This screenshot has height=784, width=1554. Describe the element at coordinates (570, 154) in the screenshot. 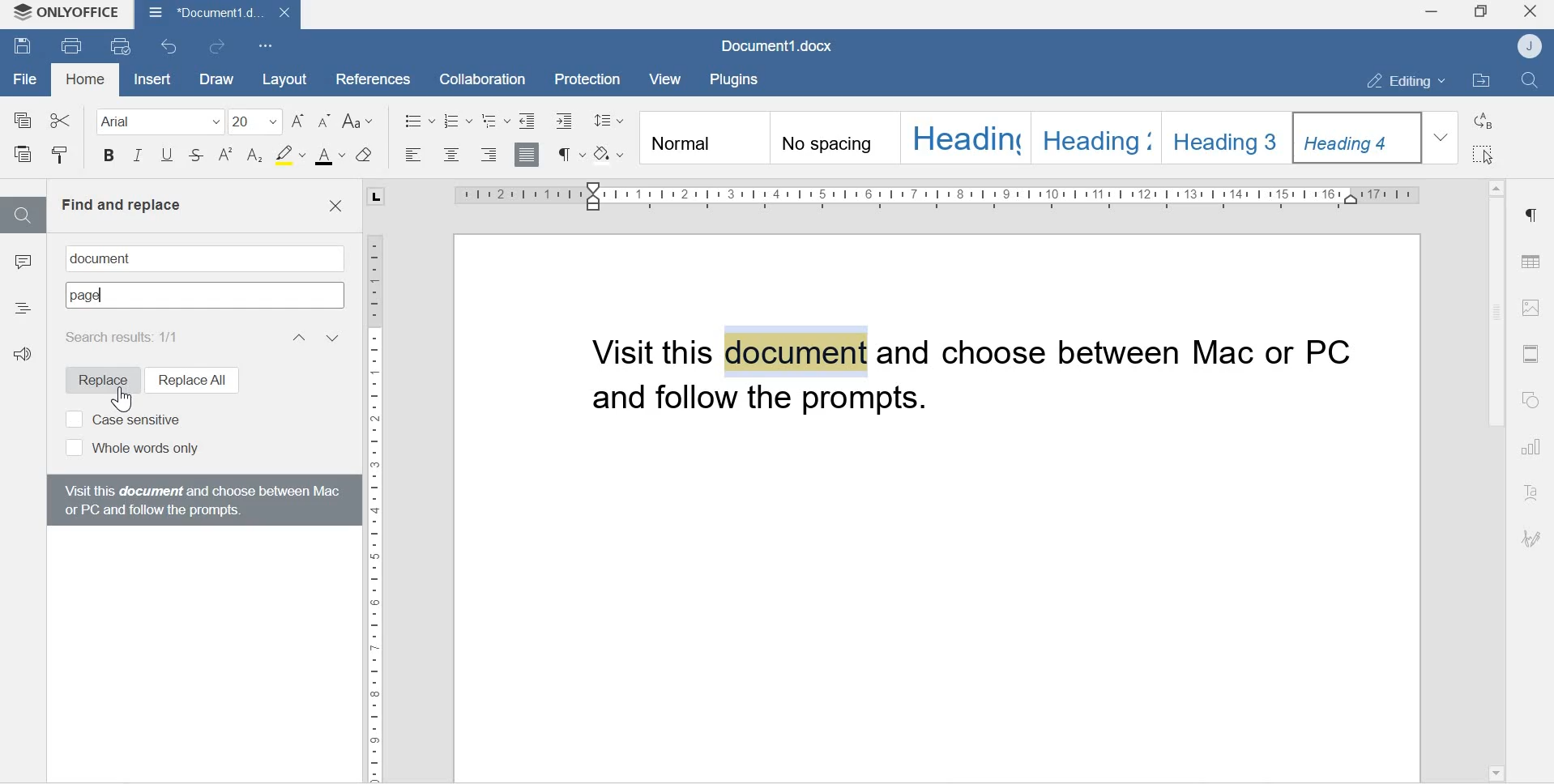

I see `Non printing characters` at that location.